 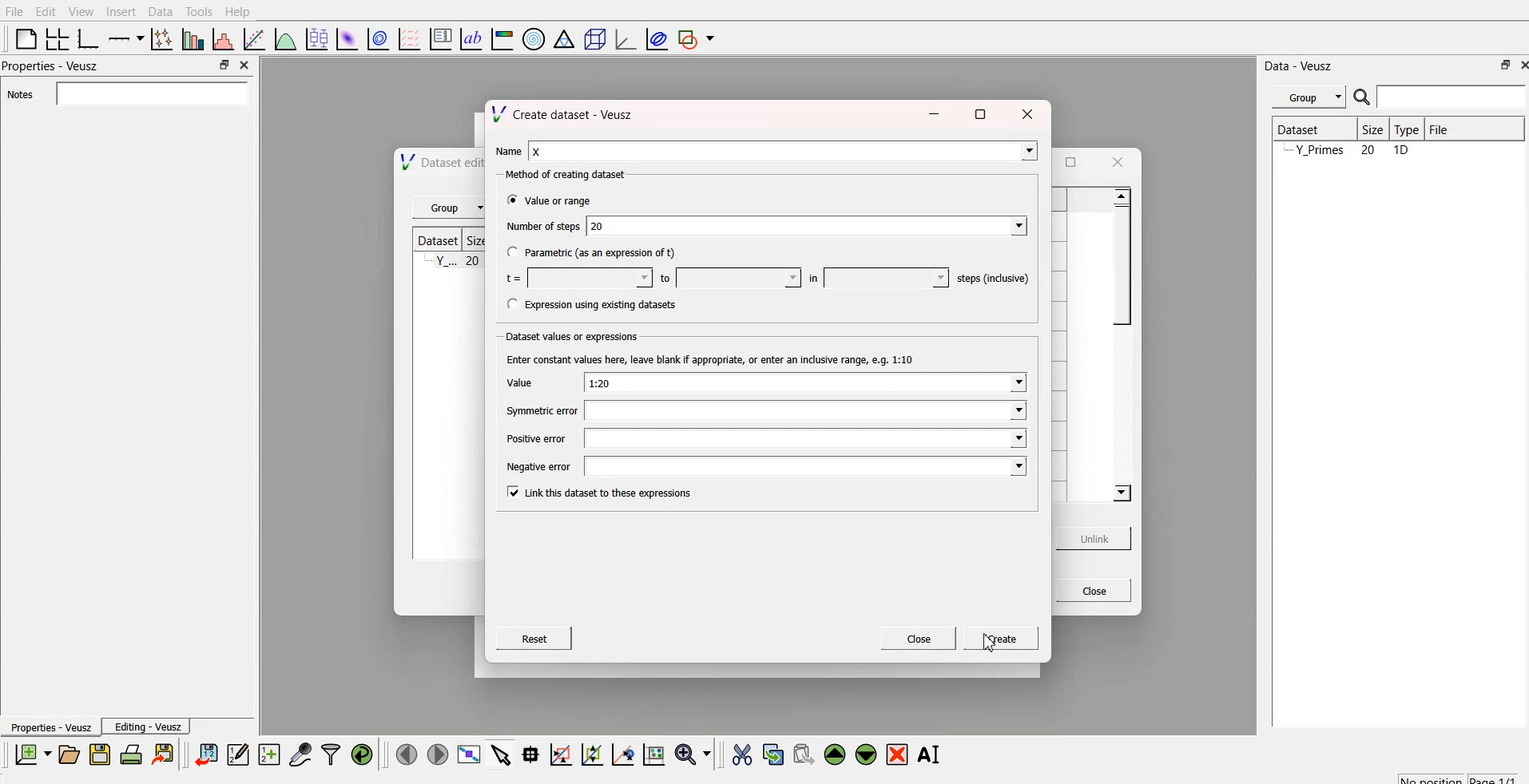 I want to click on | Dataset | Siz¢, so click(x=446, y=240).